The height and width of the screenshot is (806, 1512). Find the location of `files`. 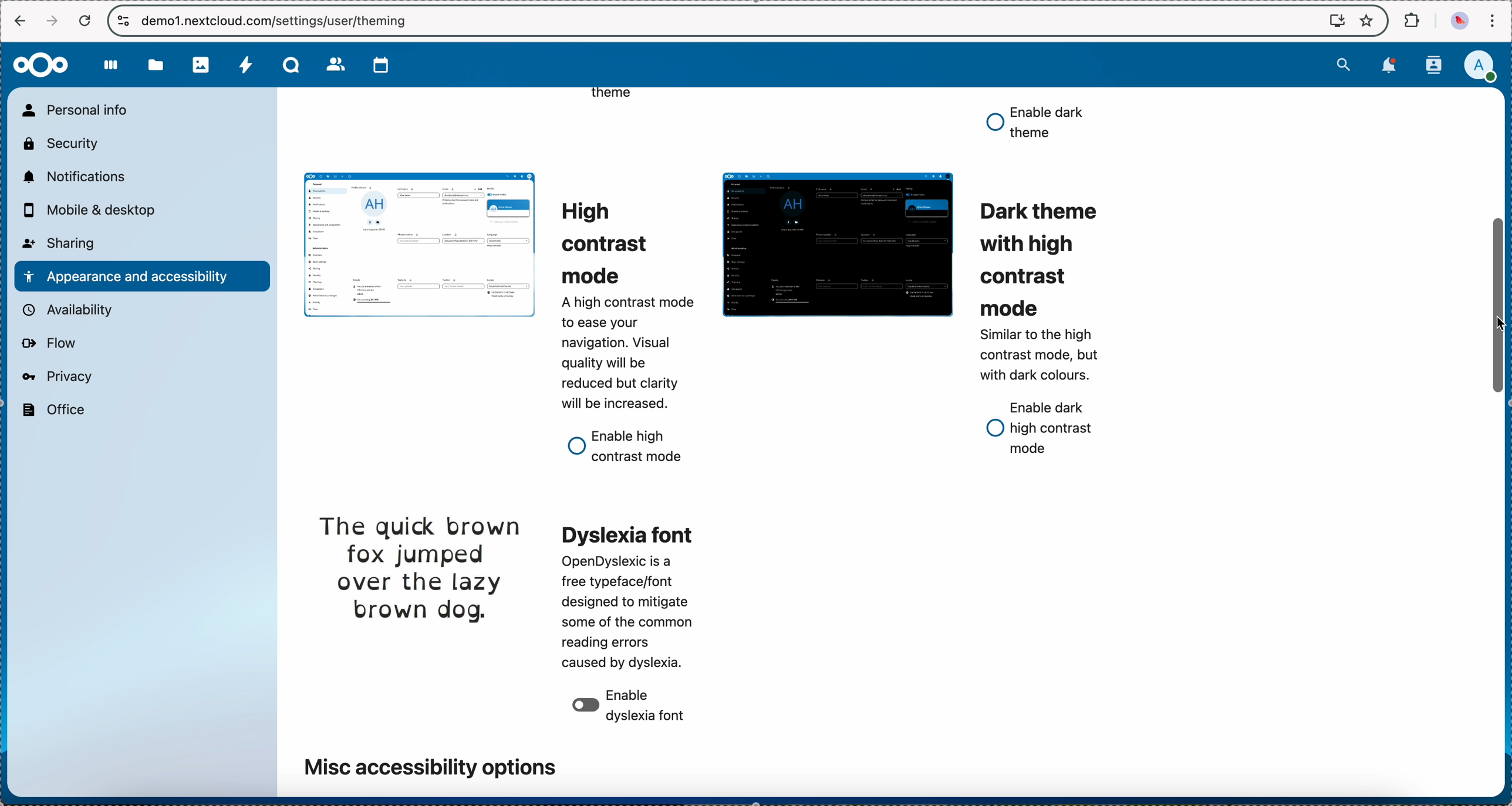

files is located at coordinates (157, 69).